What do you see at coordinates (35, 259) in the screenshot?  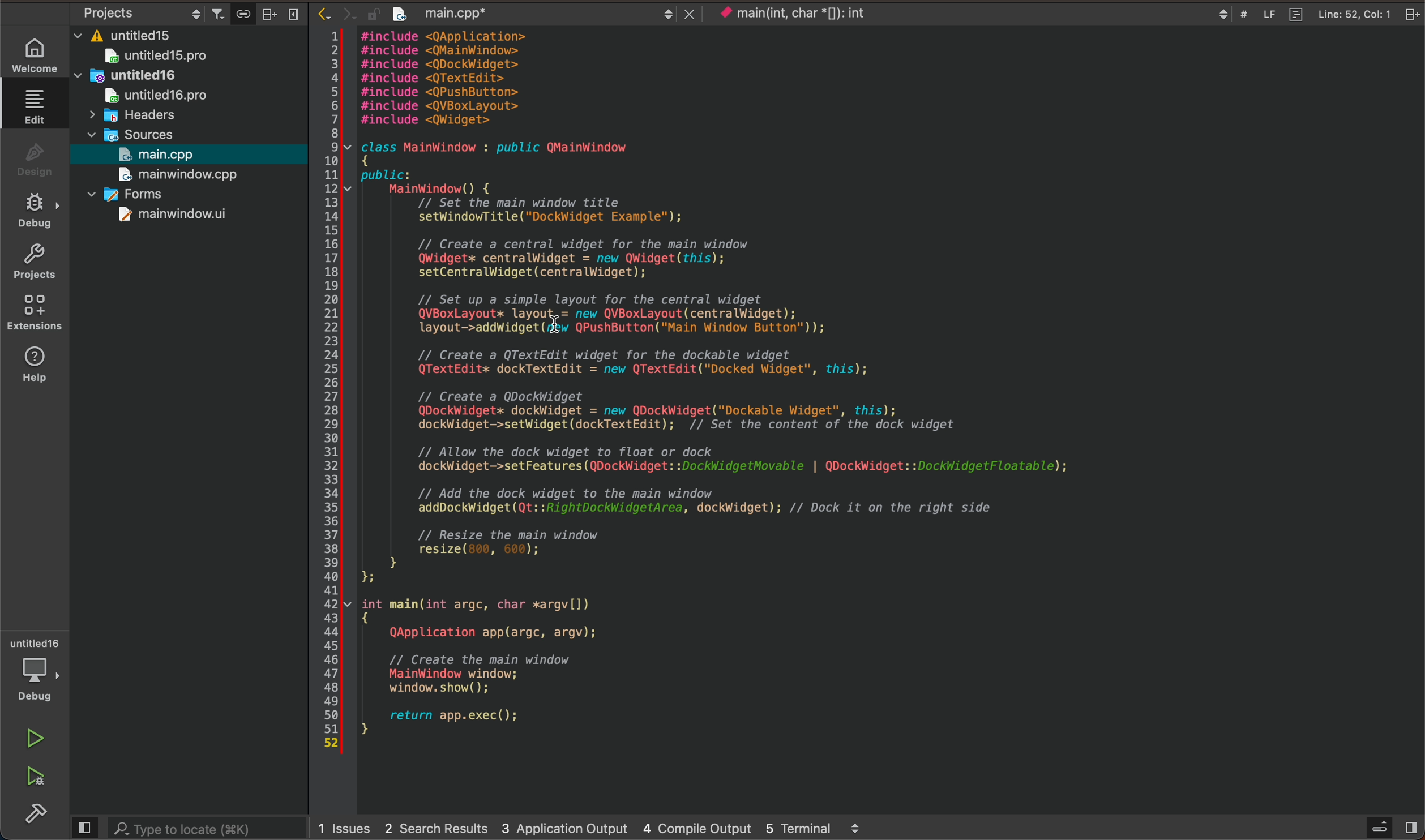 I see `projects` at bounding box center [35, 259].